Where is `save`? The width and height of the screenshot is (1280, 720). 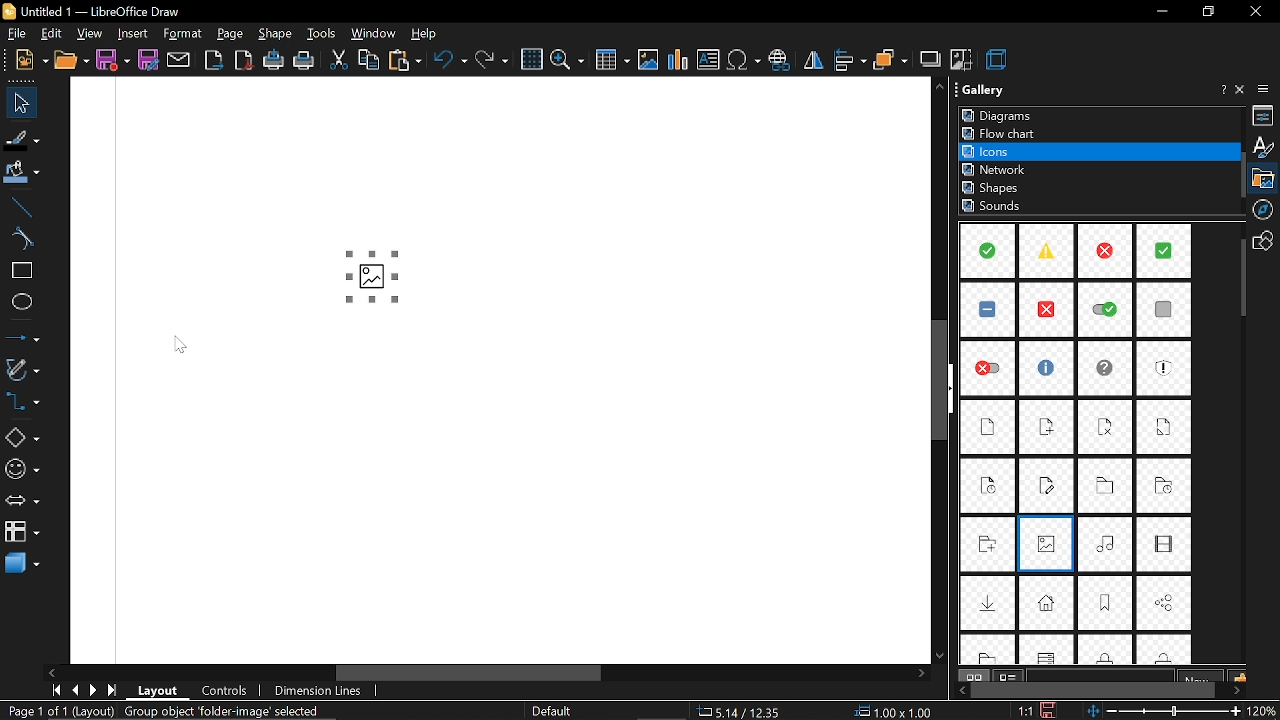
save is located at coordinates (1049, 710).